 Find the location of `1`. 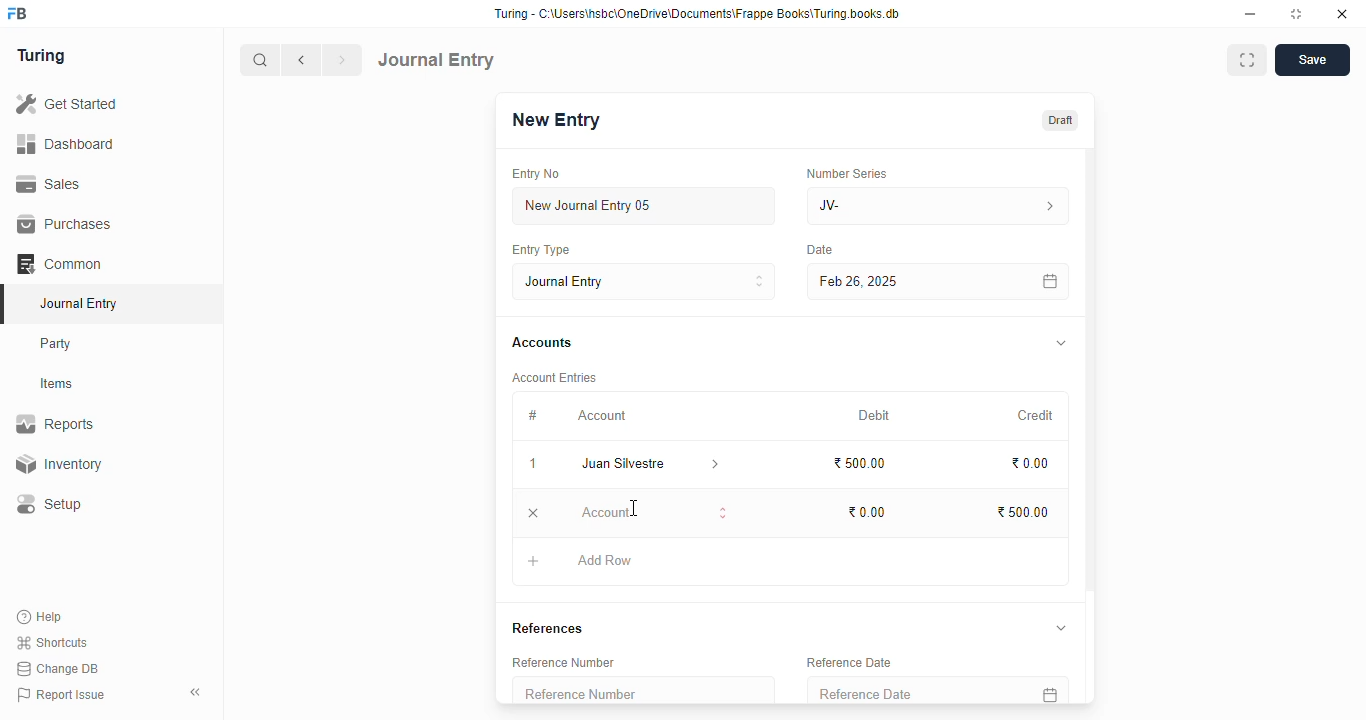

1 is located at coordinates (535, 466).